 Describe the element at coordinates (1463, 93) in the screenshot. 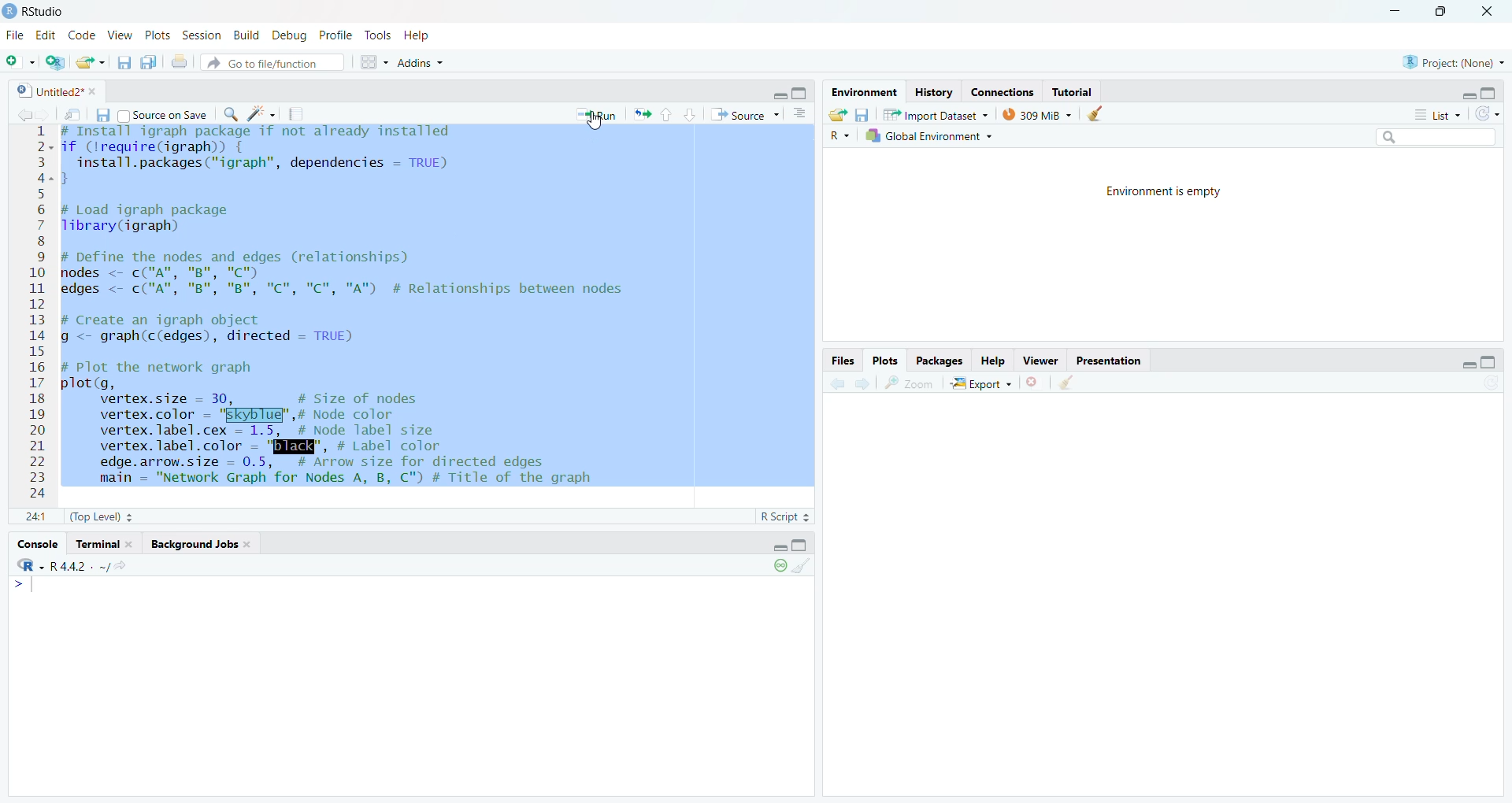

I see `minimise` at that location.